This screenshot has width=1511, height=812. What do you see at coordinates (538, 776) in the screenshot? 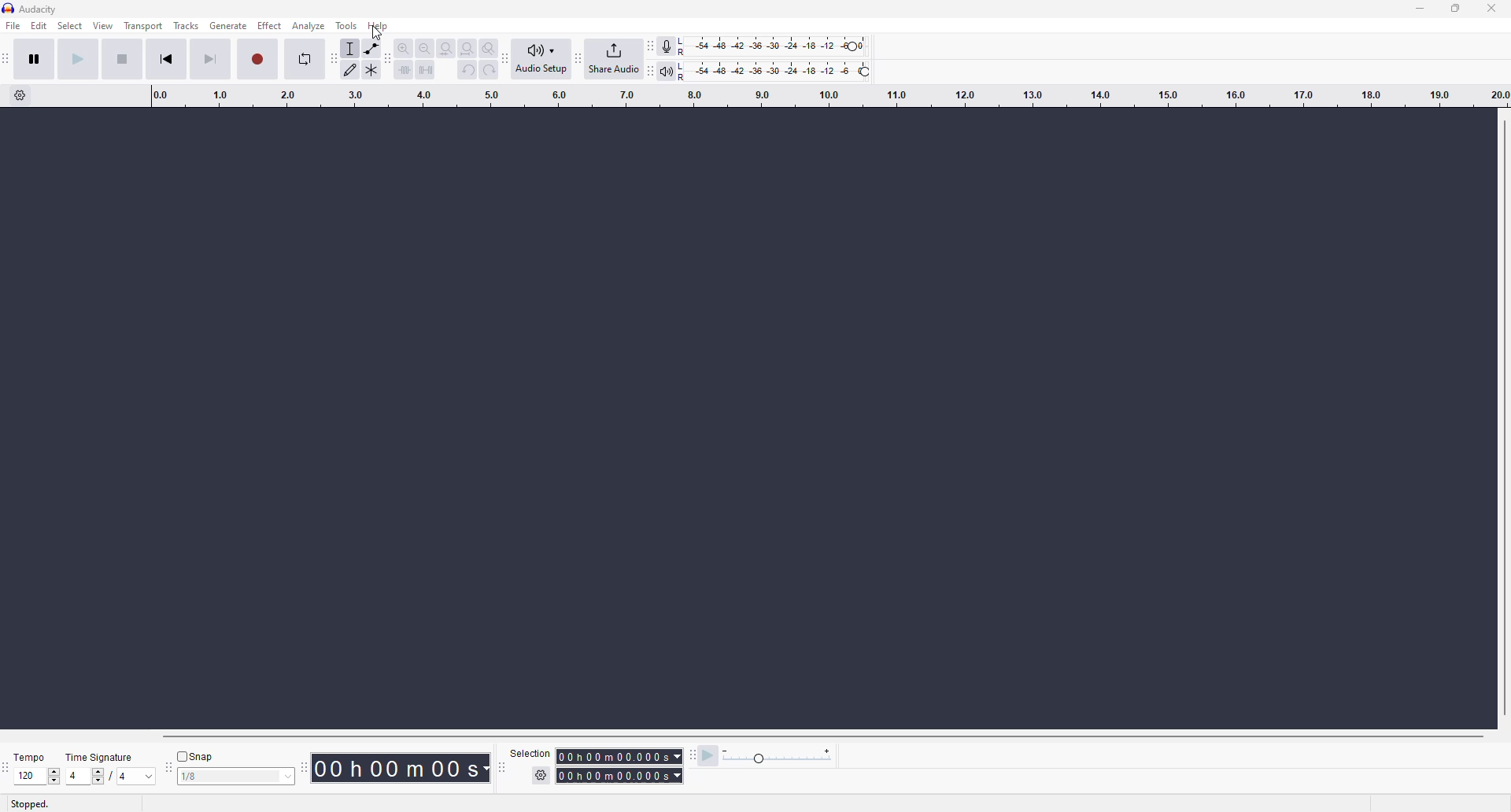
I see `settings` at bounding box center [538, 776].